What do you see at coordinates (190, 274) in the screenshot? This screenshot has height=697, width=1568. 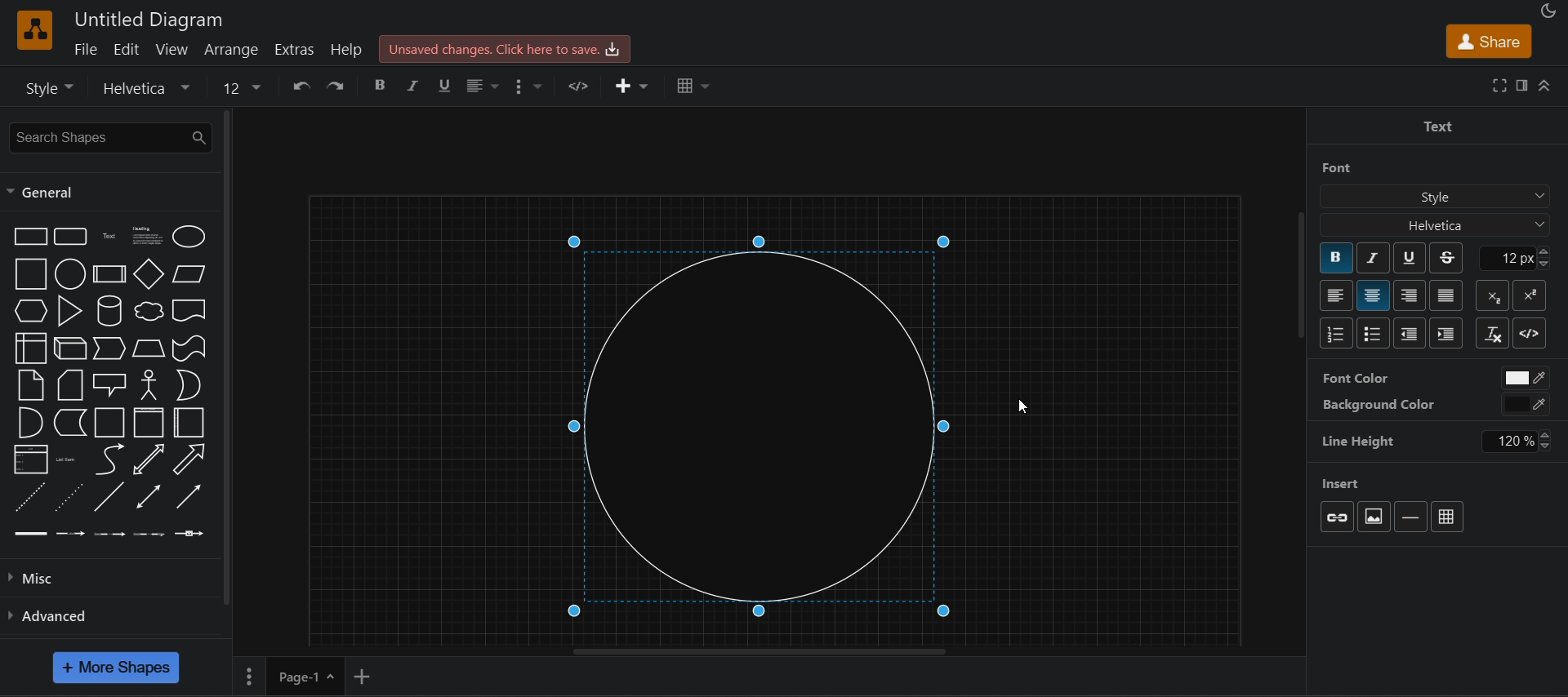 I see `parallelogram` at bounding box center [190, 274].